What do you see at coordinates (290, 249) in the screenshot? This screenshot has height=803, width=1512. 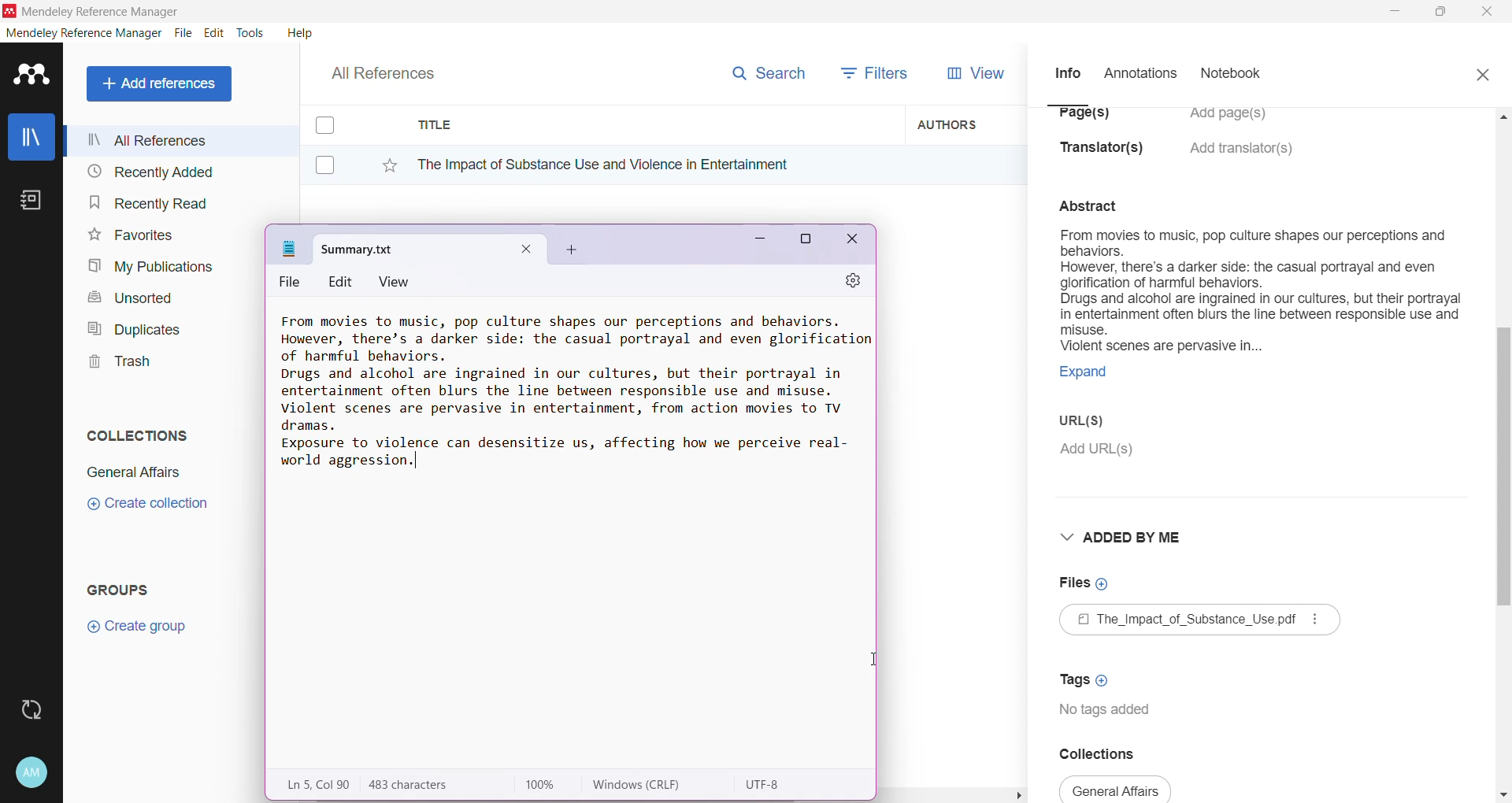 I see `Notepad Icon` at bounding box center [290, 249].